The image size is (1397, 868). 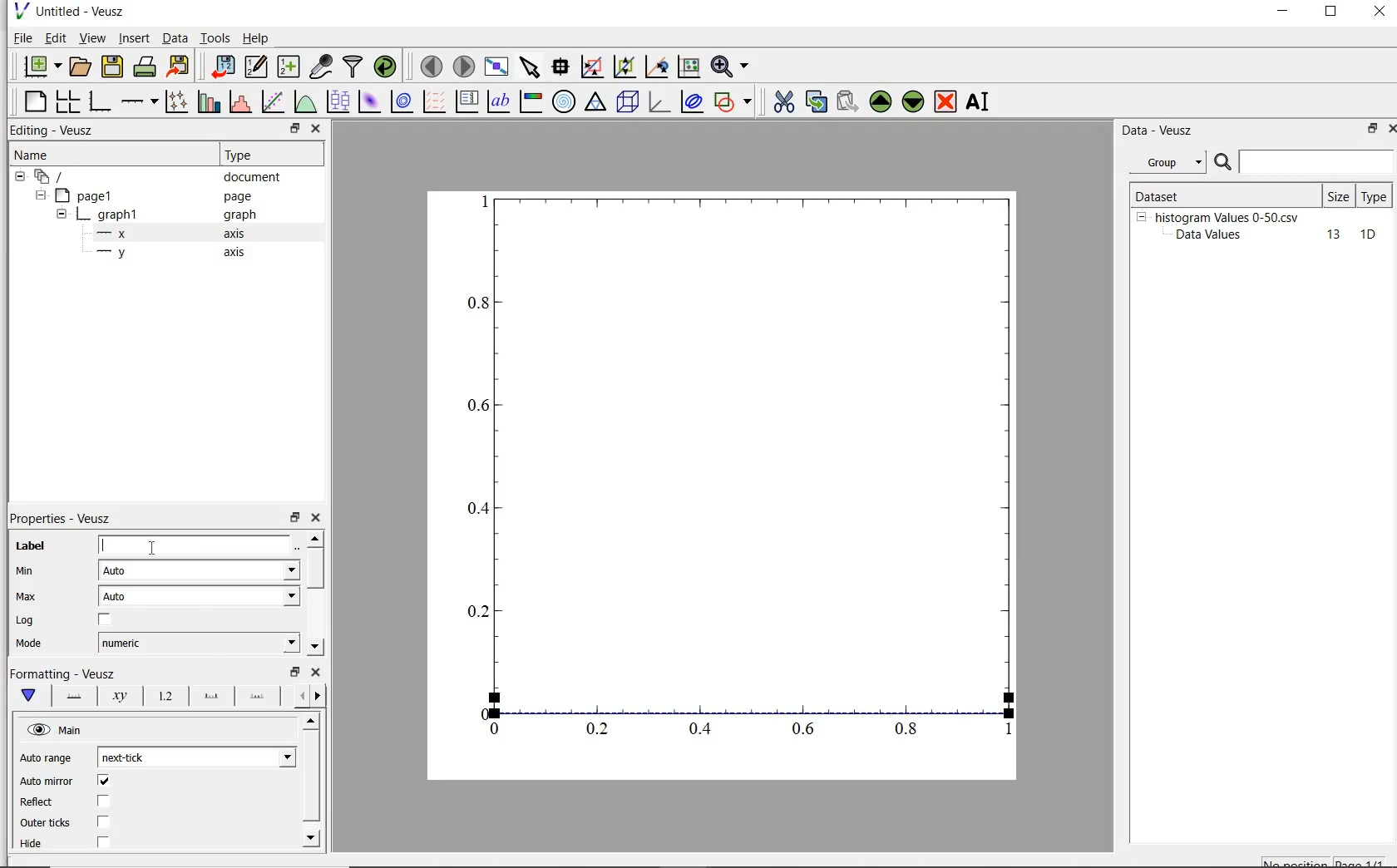 I want to click on rename the selected widget, so click(x=980, y=101).